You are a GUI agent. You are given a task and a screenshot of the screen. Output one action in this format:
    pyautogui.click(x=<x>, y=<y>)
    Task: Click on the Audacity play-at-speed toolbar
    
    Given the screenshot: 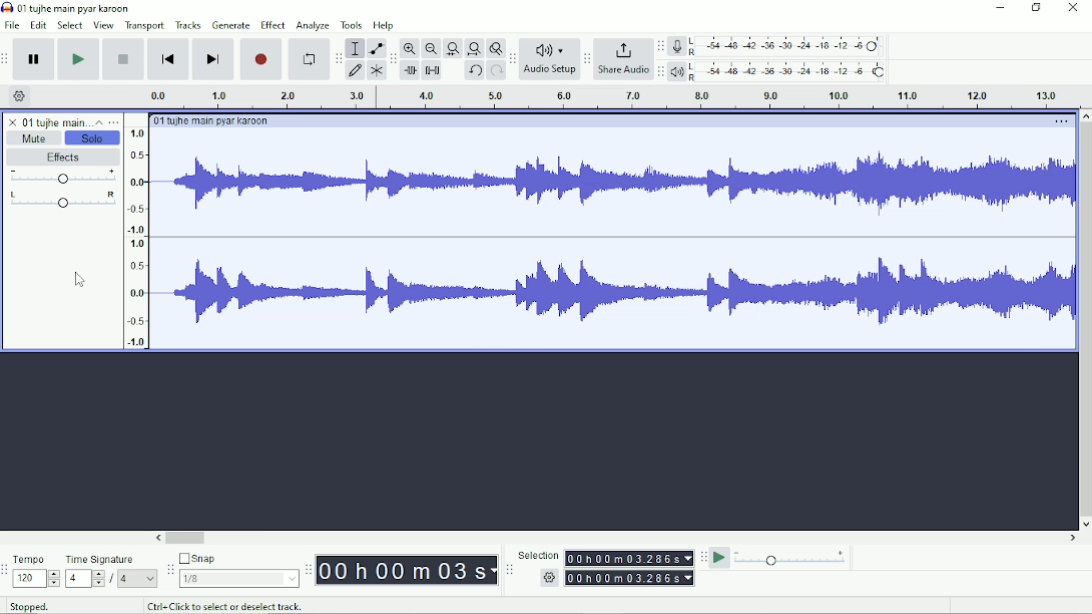 What is the action you would take?
    pyautogui.click(x=703, y=557)
    